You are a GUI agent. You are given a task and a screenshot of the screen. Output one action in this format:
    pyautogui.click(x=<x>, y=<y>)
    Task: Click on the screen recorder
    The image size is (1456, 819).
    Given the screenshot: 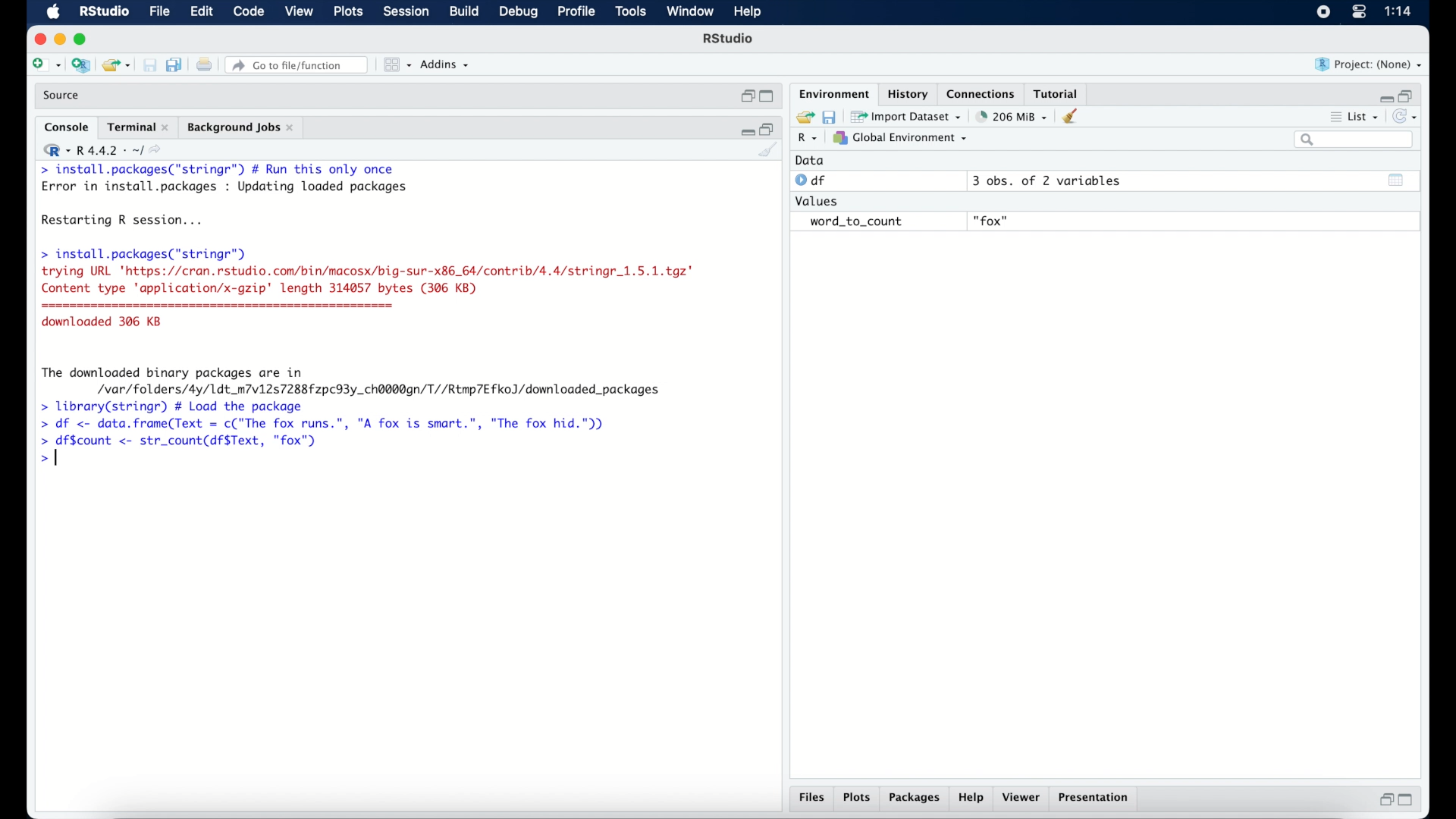 What is the action you would take?
    pyautogui.click(x=1323, y=13)
    